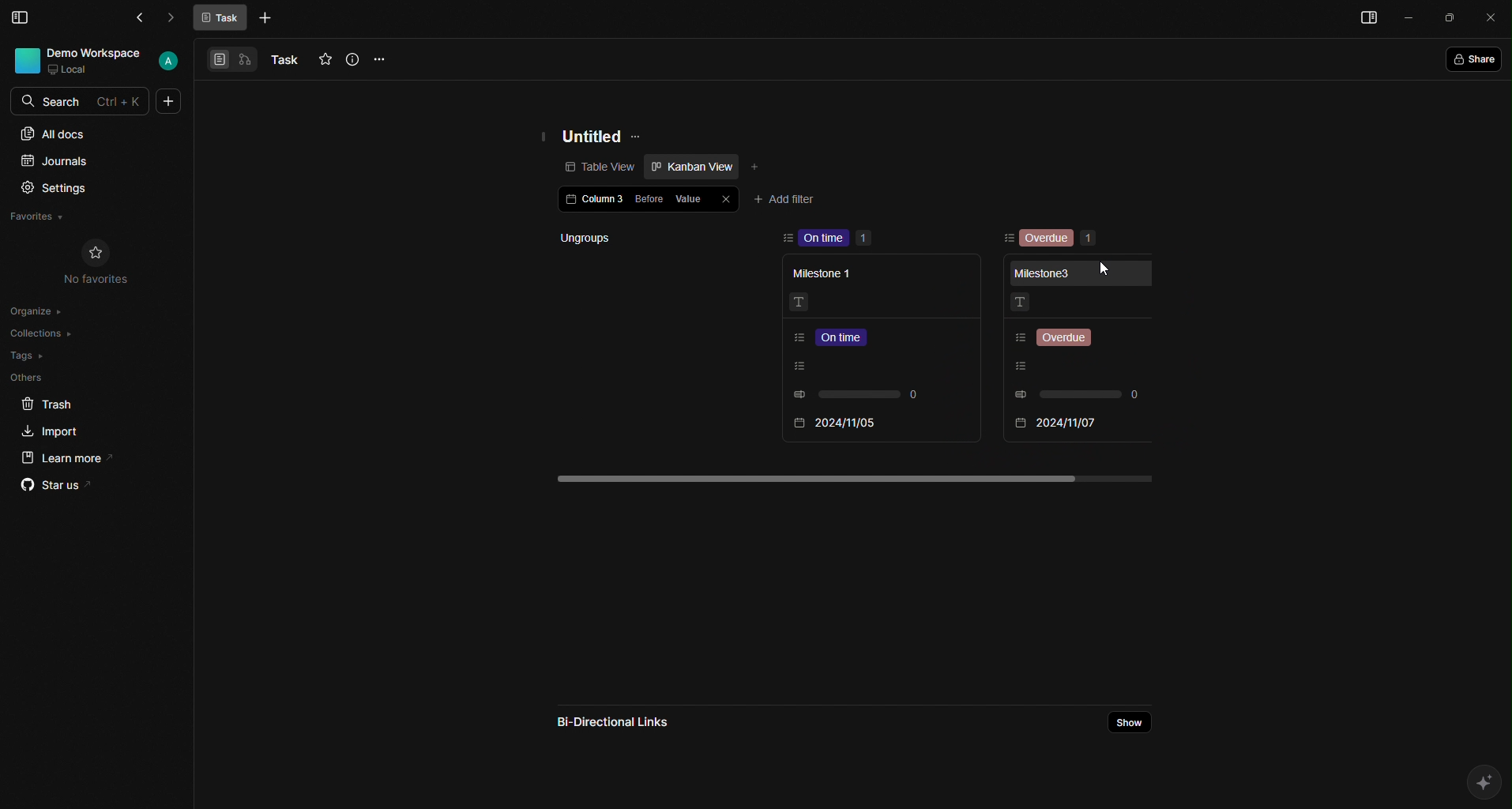 Image resolution: width=1512 pixels, height=809 pixels. Describe the element at coordinates (96, 263) in the screenshot. I see `No Favorites` at that location.